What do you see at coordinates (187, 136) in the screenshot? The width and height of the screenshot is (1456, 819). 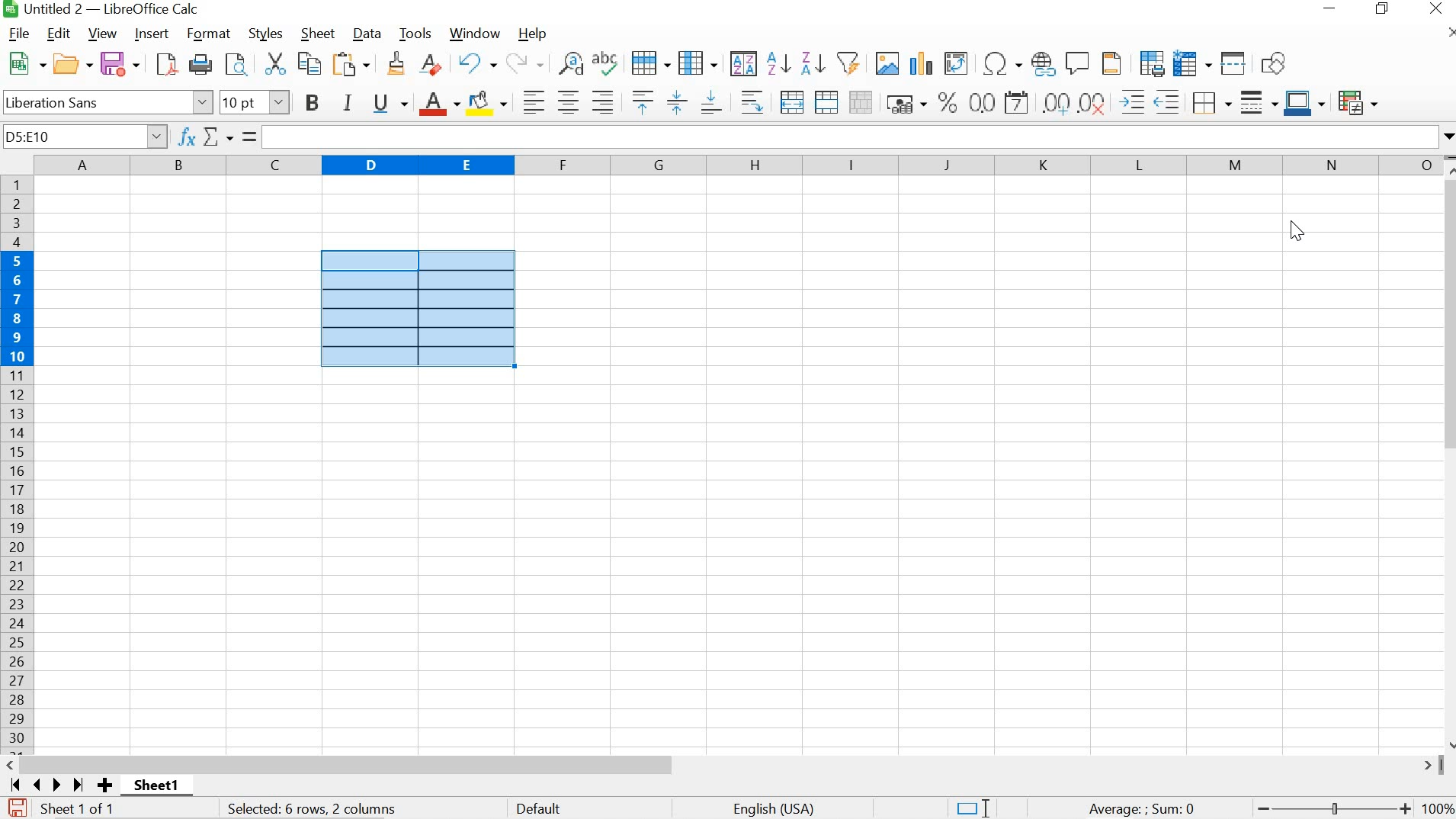 I see `function wizard` at bounding box center [187, 136].